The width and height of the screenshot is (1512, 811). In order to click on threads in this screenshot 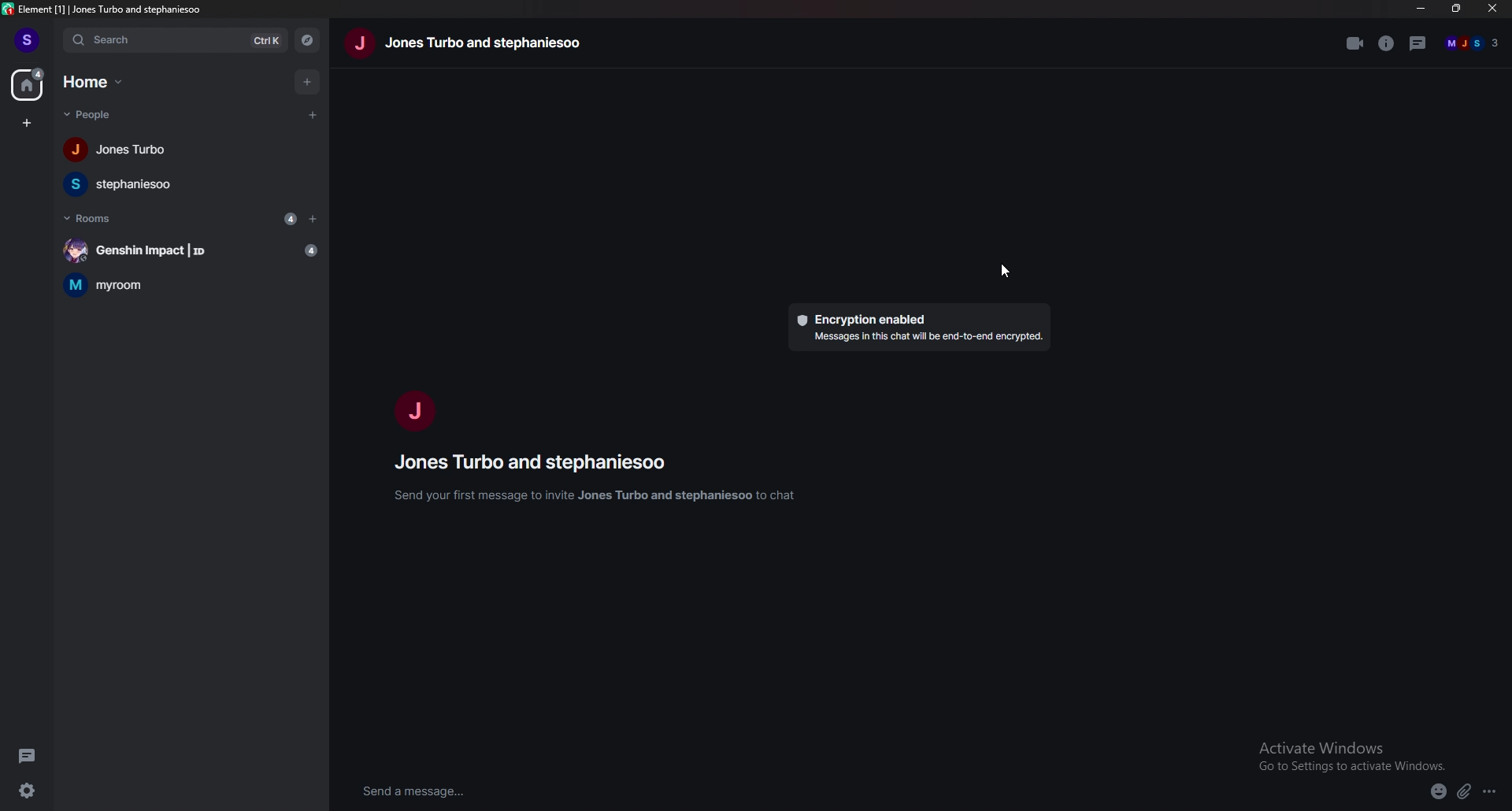, I will do `click(29, 754)`.